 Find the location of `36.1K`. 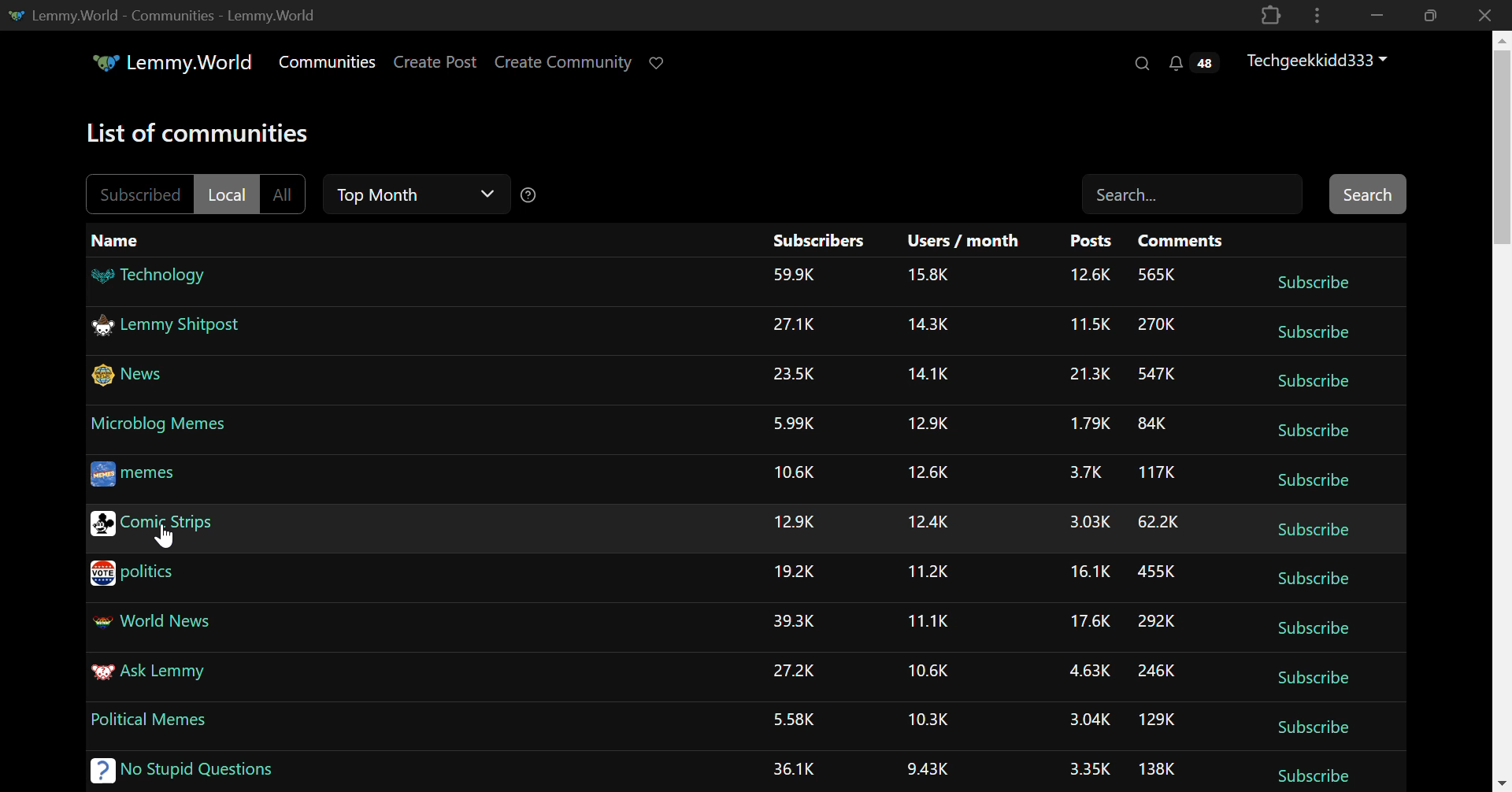

36.1K is located at coordinates (794, 769).